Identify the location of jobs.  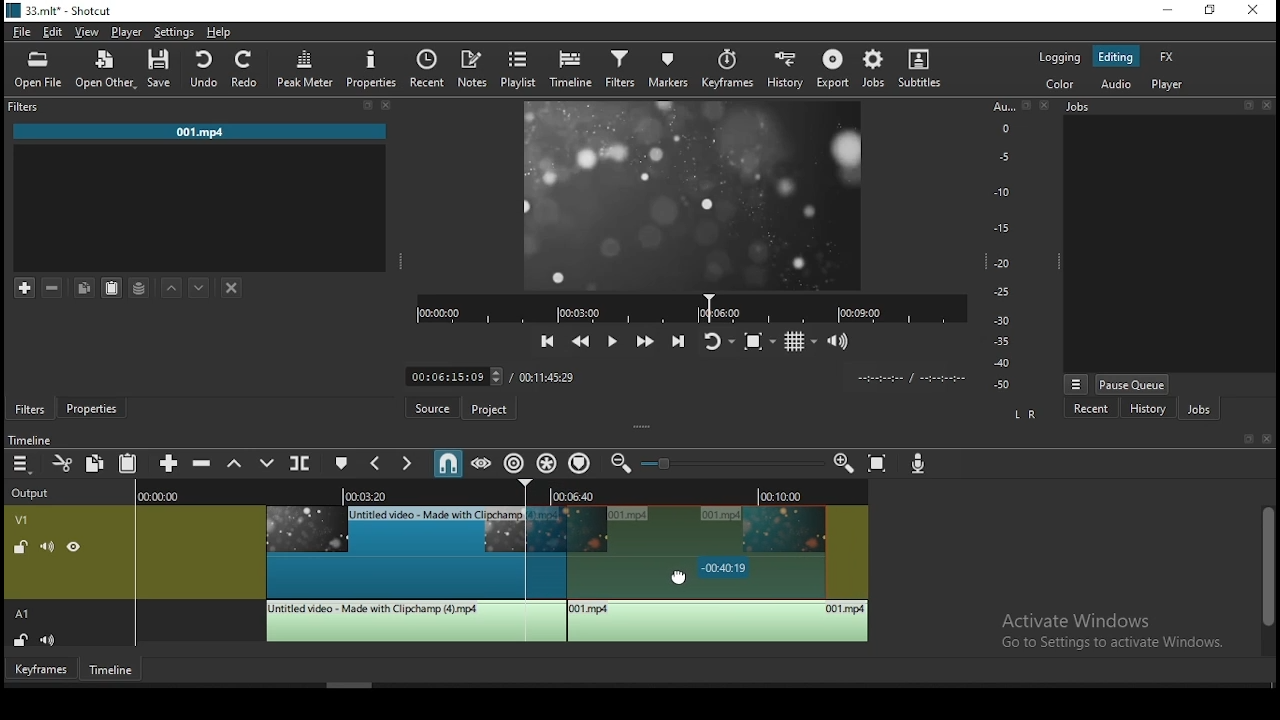
(878, 68).